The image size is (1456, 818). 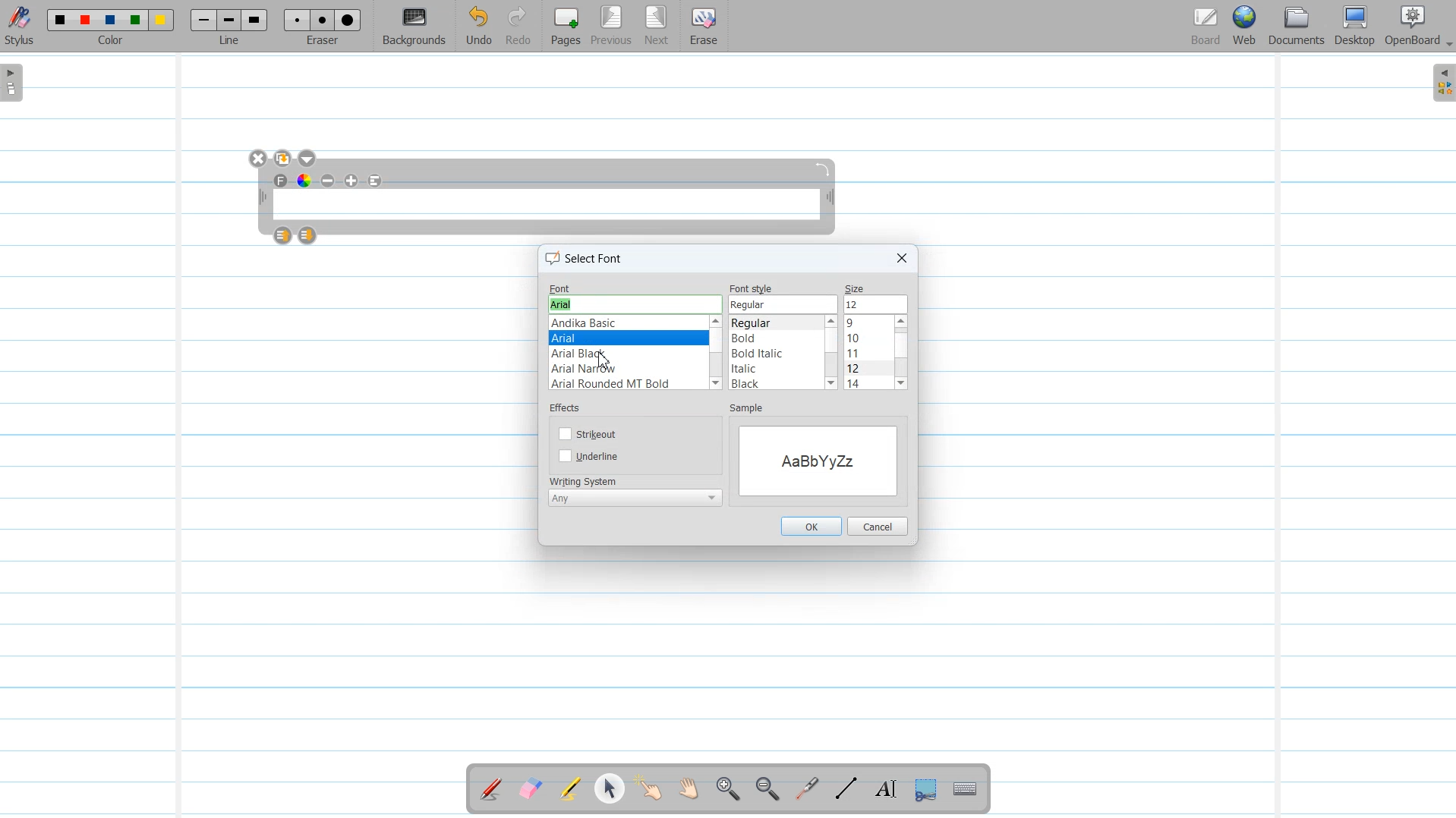 I want to click on Select and modify Object, so click(x=610, y=788).